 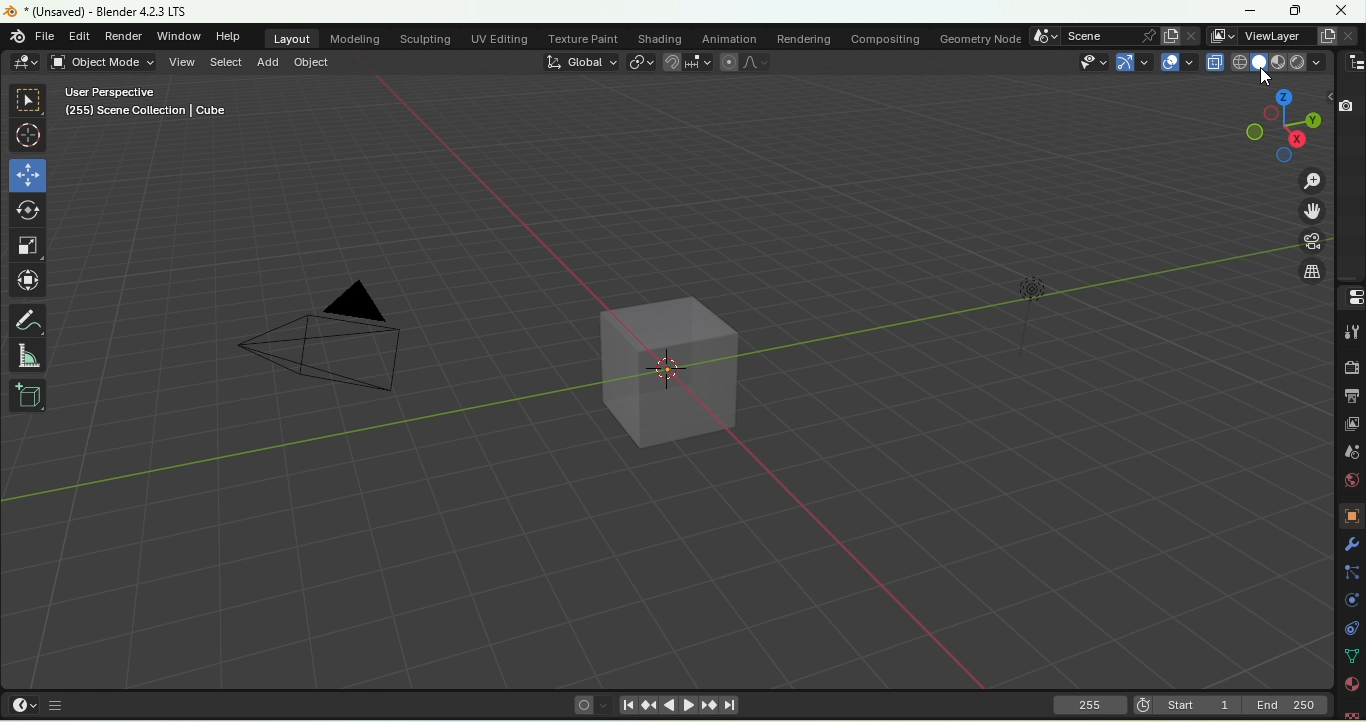 I want to click on Transform pivot point, so click(x=642, y=64).